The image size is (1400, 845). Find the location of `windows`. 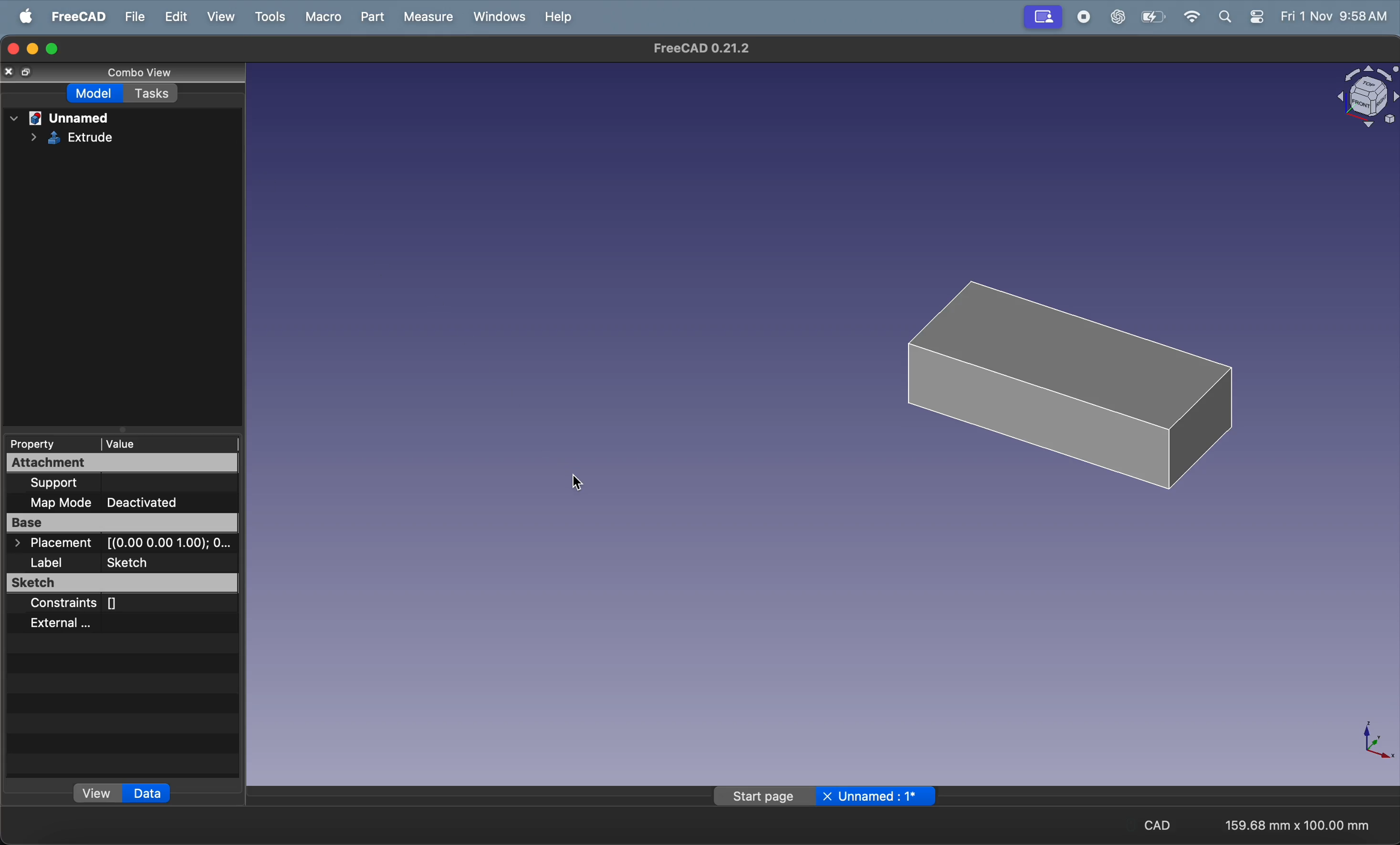

windows is located at coordinates (495, 18).